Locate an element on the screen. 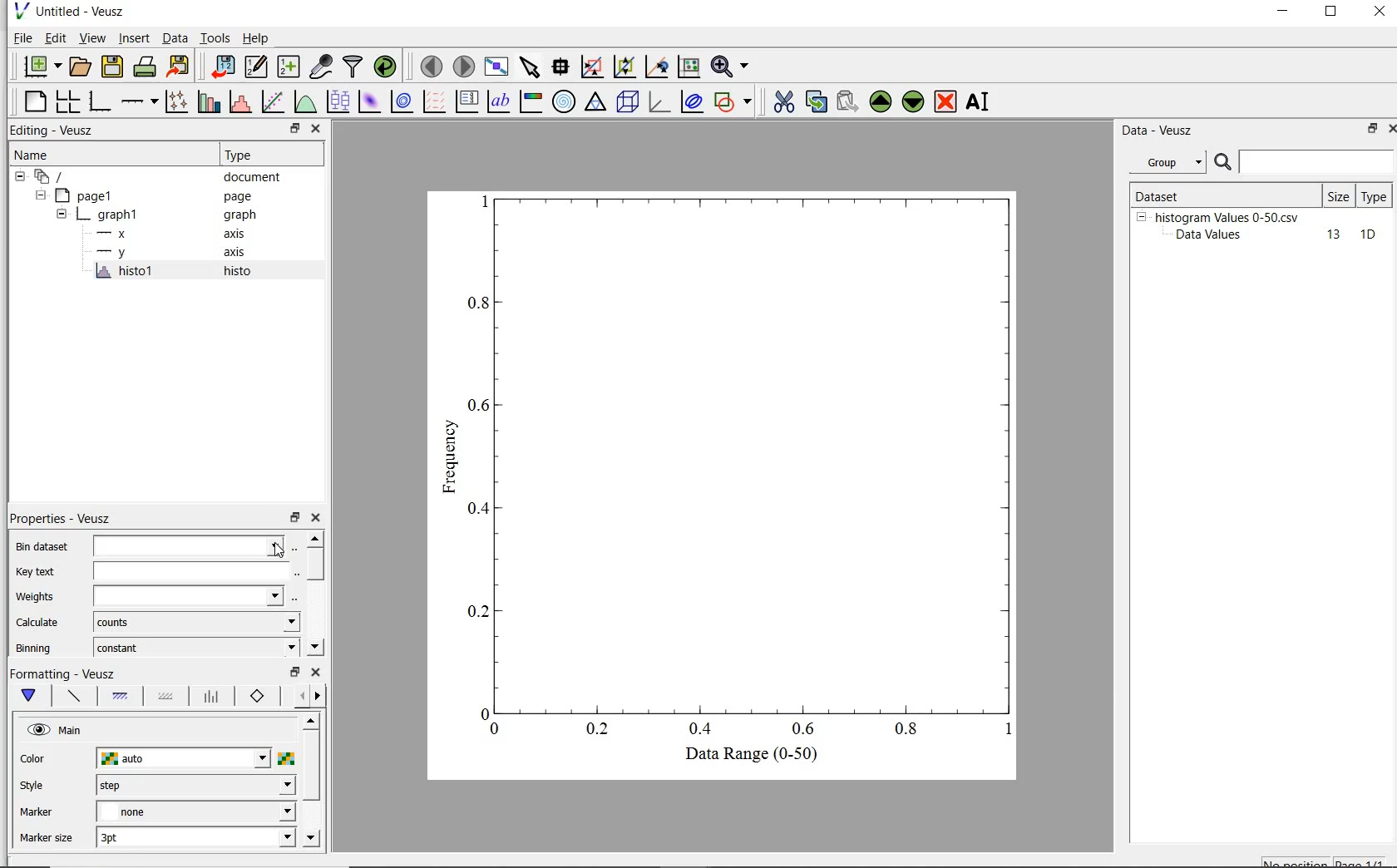 The height and width of the screenshot is (868, 1397). editing-veusz is located at coordinates (52, 131).